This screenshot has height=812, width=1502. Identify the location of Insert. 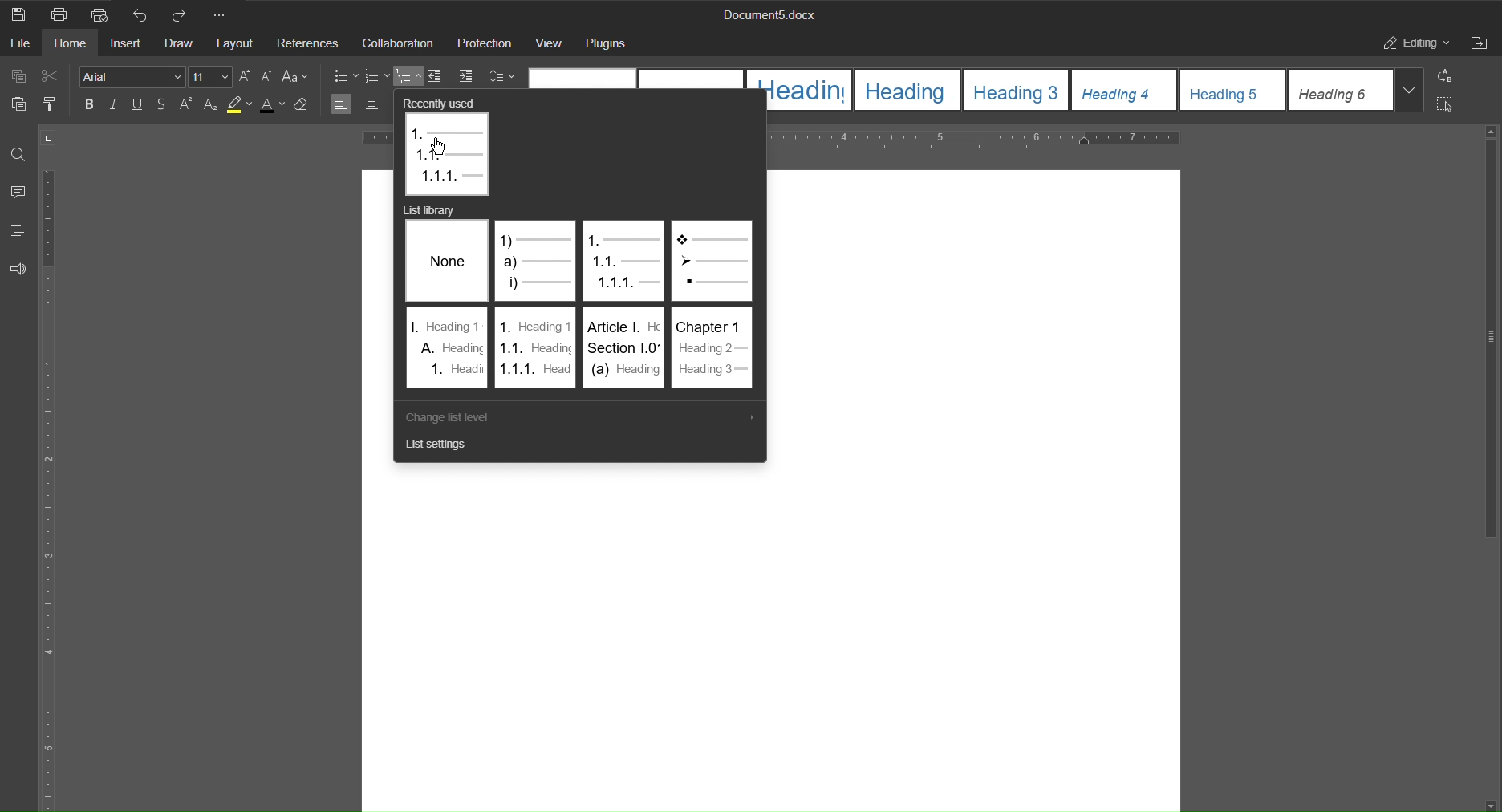
(127, 45).